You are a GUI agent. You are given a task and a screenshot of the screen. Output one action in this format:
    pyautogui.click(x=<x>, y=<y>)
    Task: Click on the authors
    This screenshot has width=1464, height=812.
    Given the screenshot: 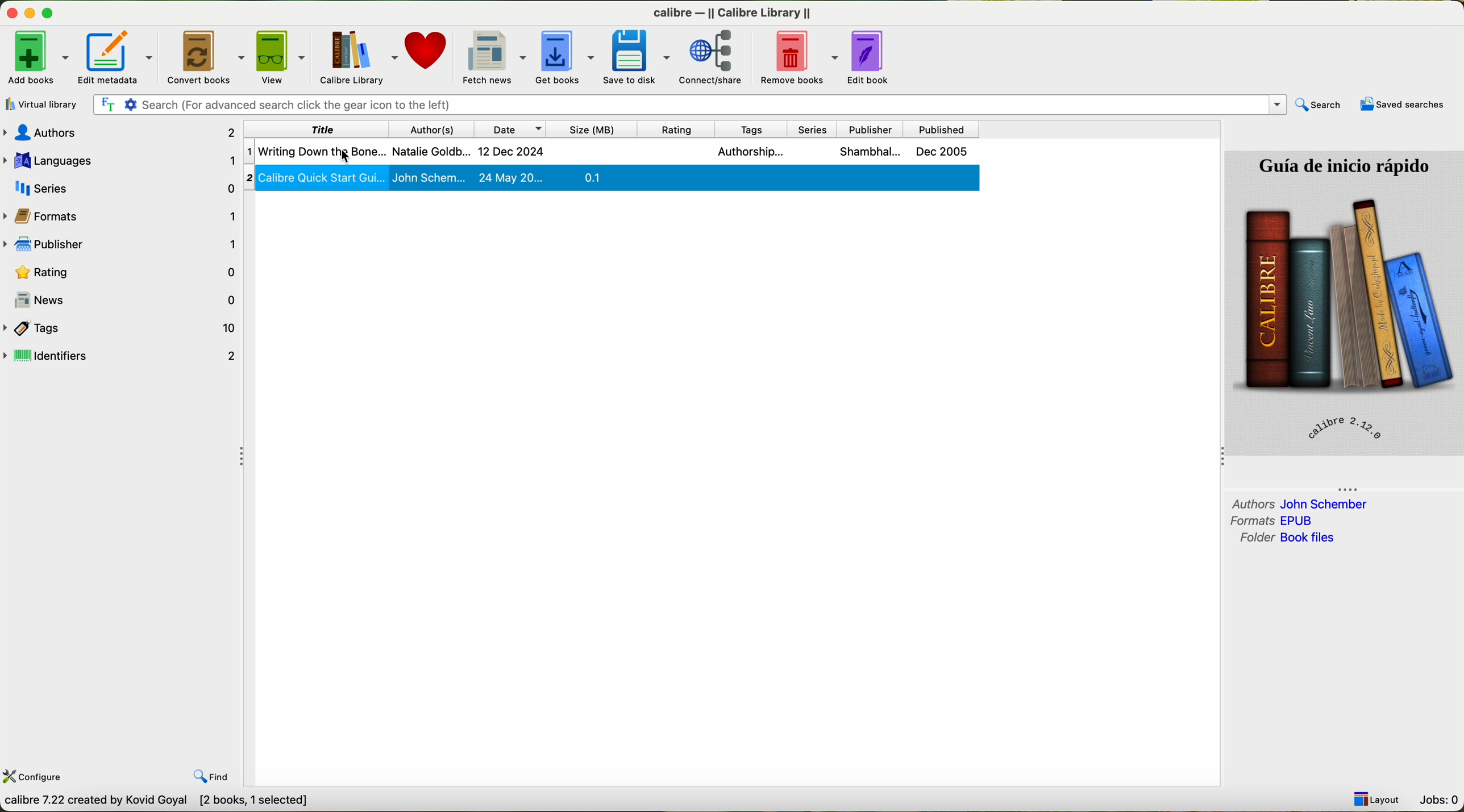 What is the action you would take?
    pyautogui.click(x=428, y=128)
    